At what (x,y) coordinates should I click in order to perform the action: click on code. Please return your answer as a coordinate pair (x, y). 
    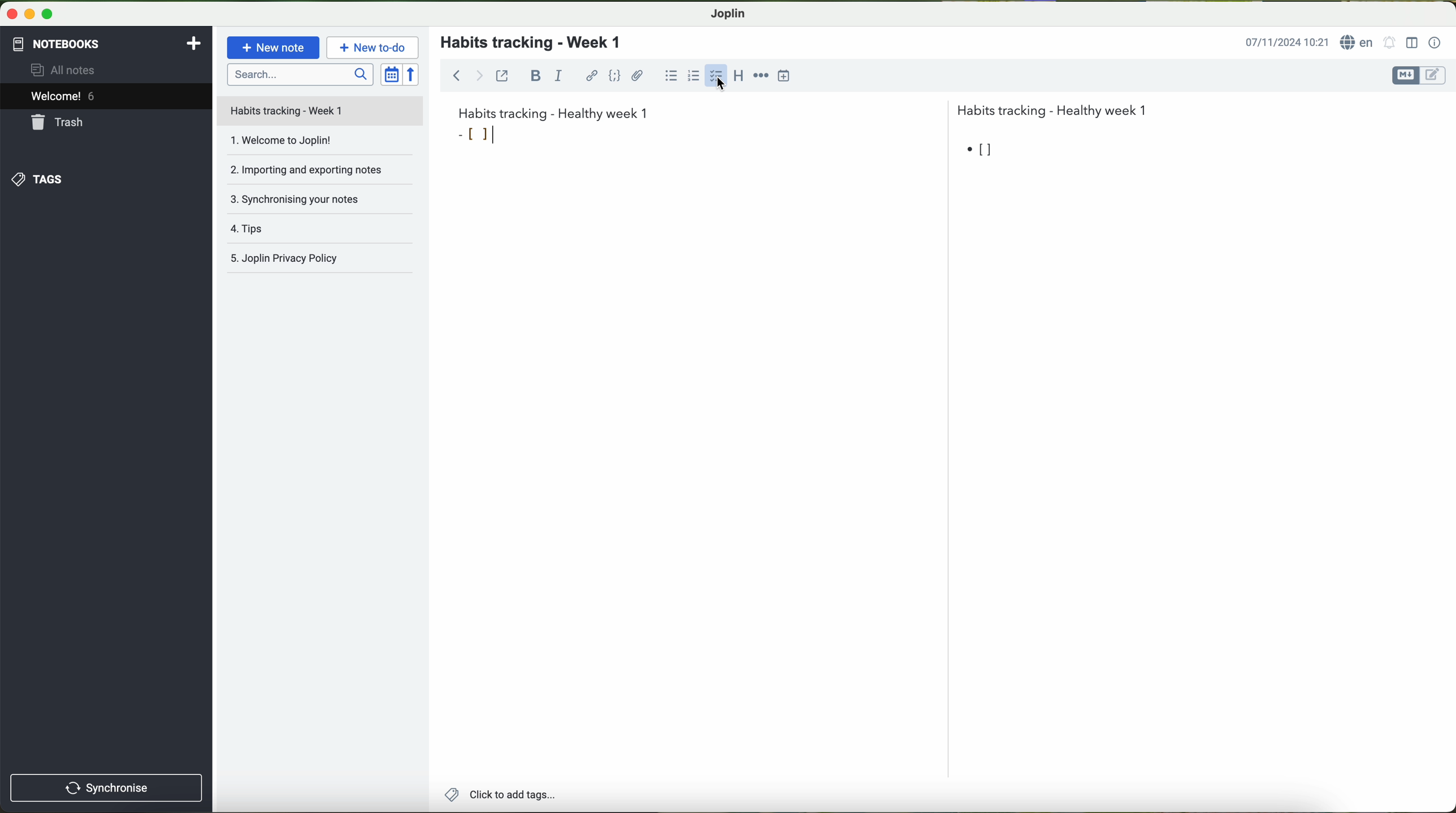
    Looking at the image, I should click on (616, 76).